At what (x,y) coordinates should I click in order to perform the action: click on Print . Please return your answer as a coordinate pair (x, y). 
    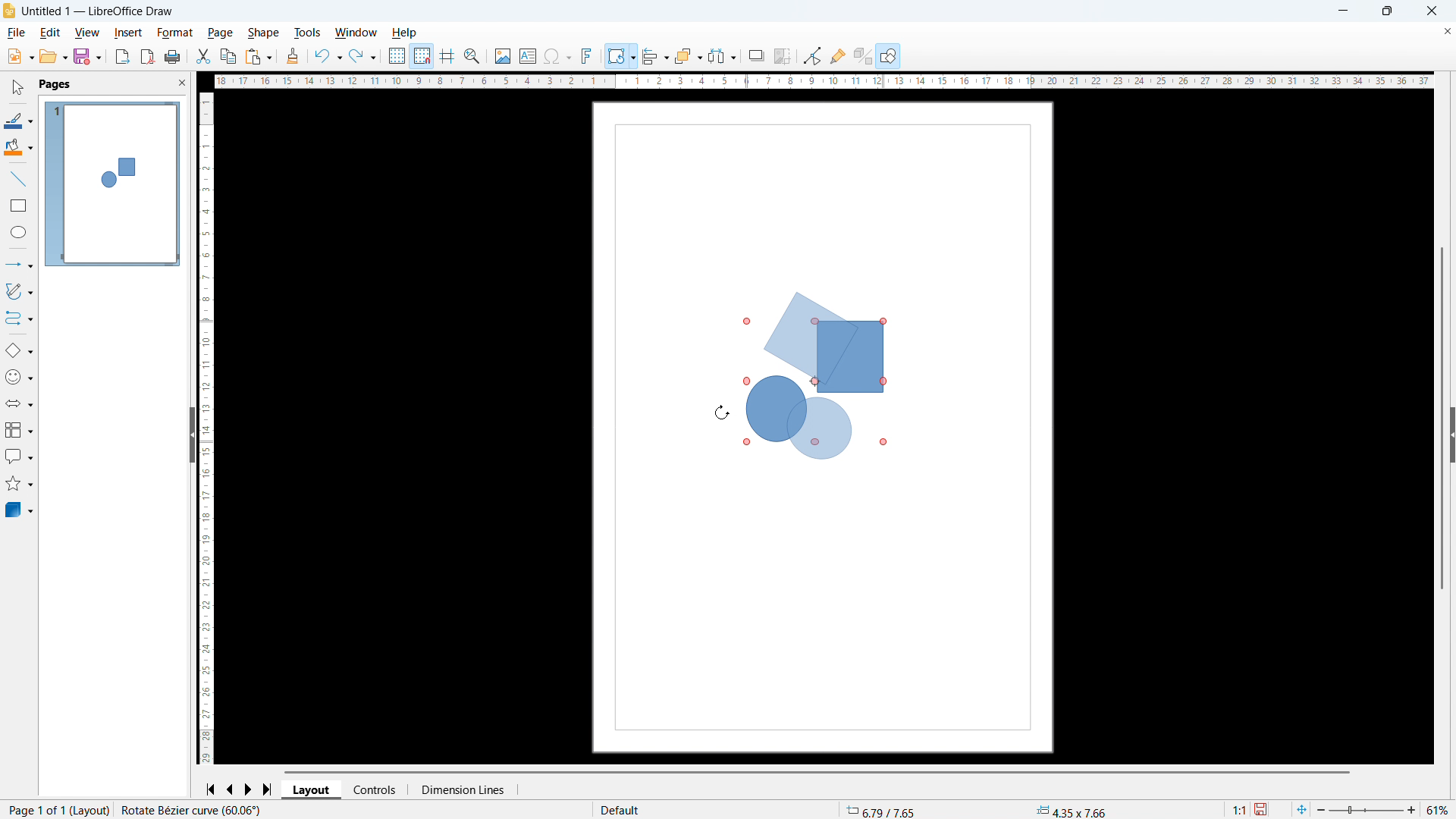
    Looking at the image, I should click on (173, 56).